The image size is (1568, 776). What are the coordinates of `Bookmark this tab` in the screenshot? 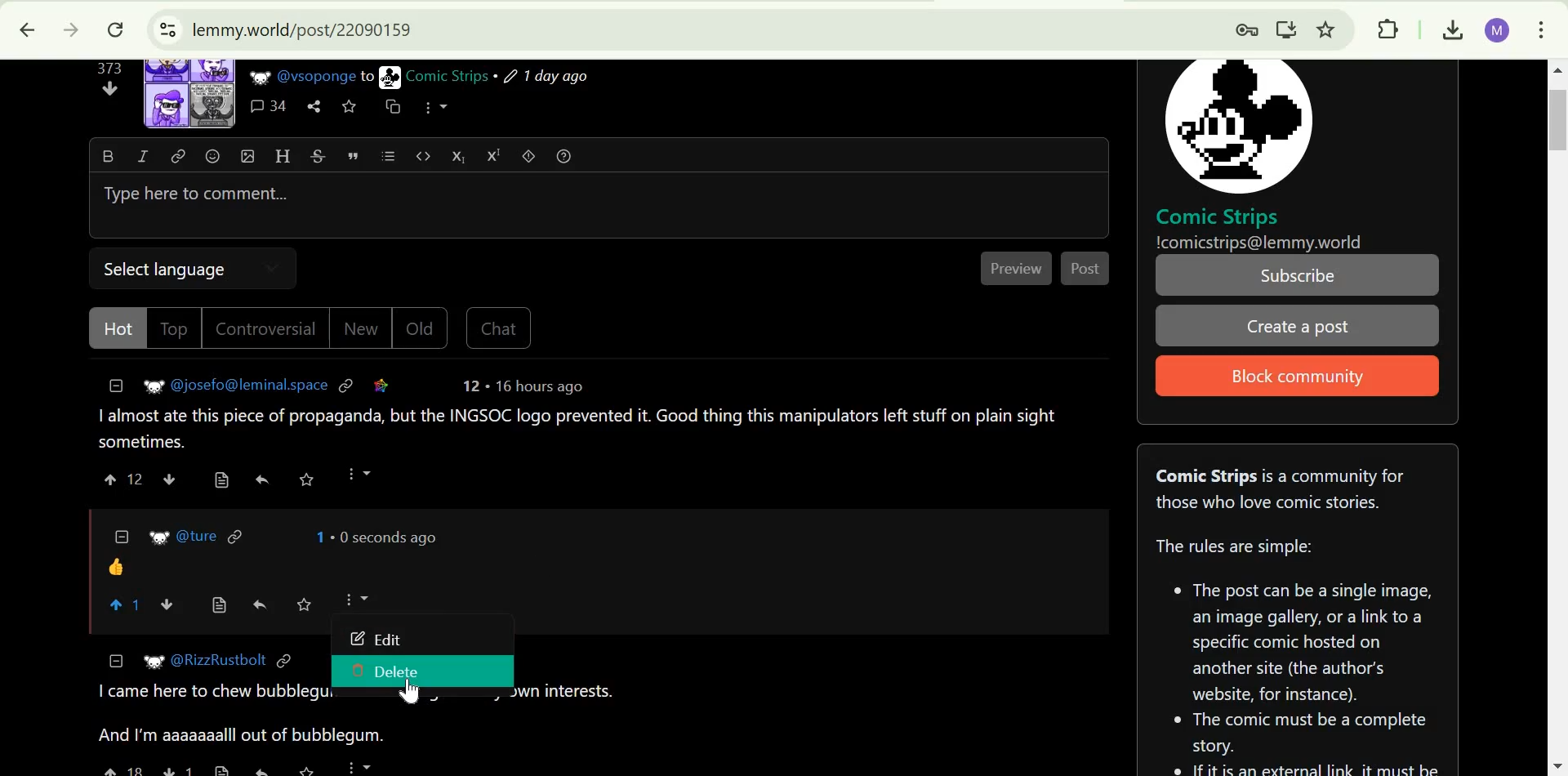 It's located at (1327, 29).